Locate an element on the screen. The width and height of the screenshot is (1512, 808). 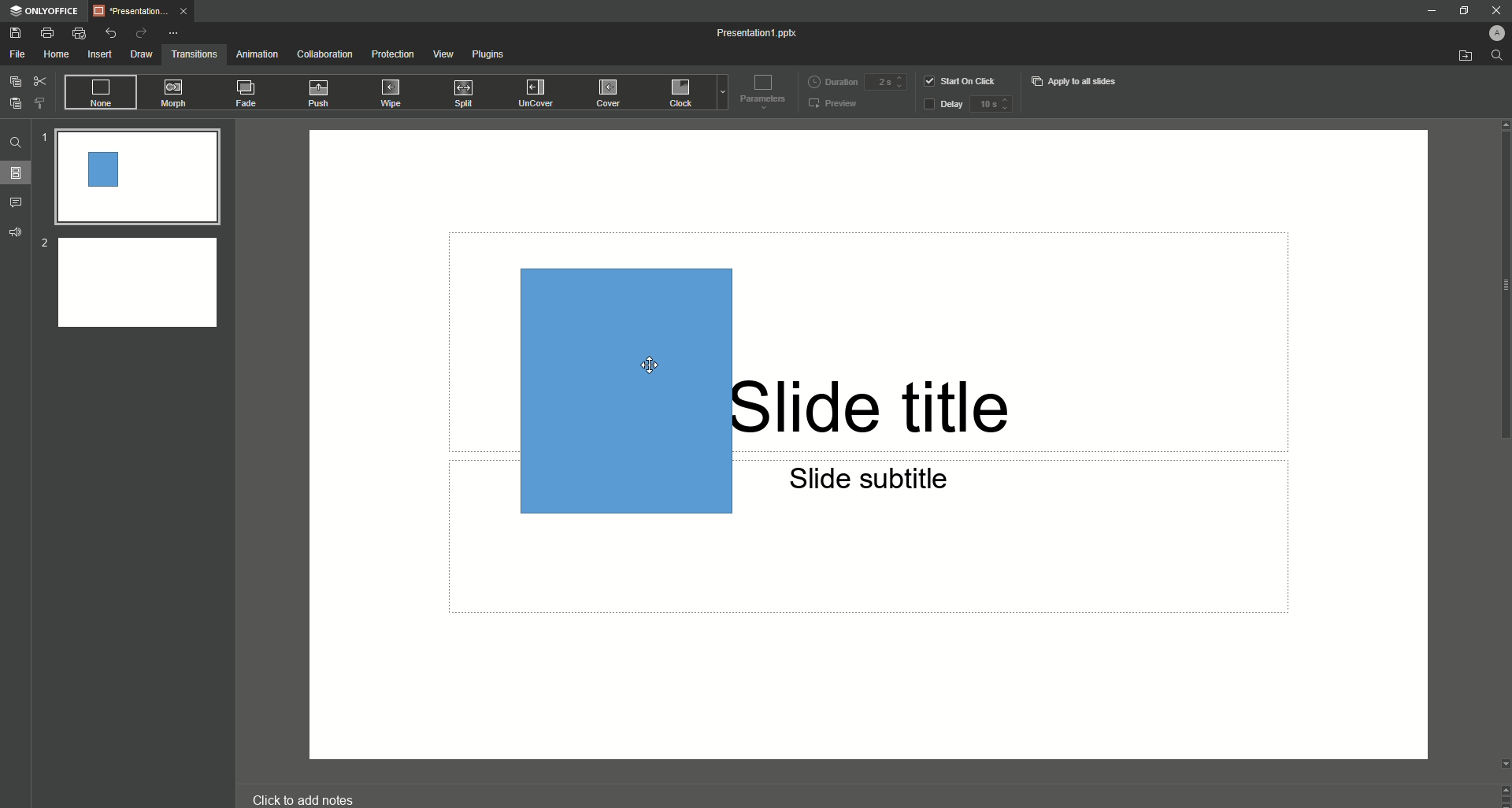
Paste is located at coordinates (15, 103).